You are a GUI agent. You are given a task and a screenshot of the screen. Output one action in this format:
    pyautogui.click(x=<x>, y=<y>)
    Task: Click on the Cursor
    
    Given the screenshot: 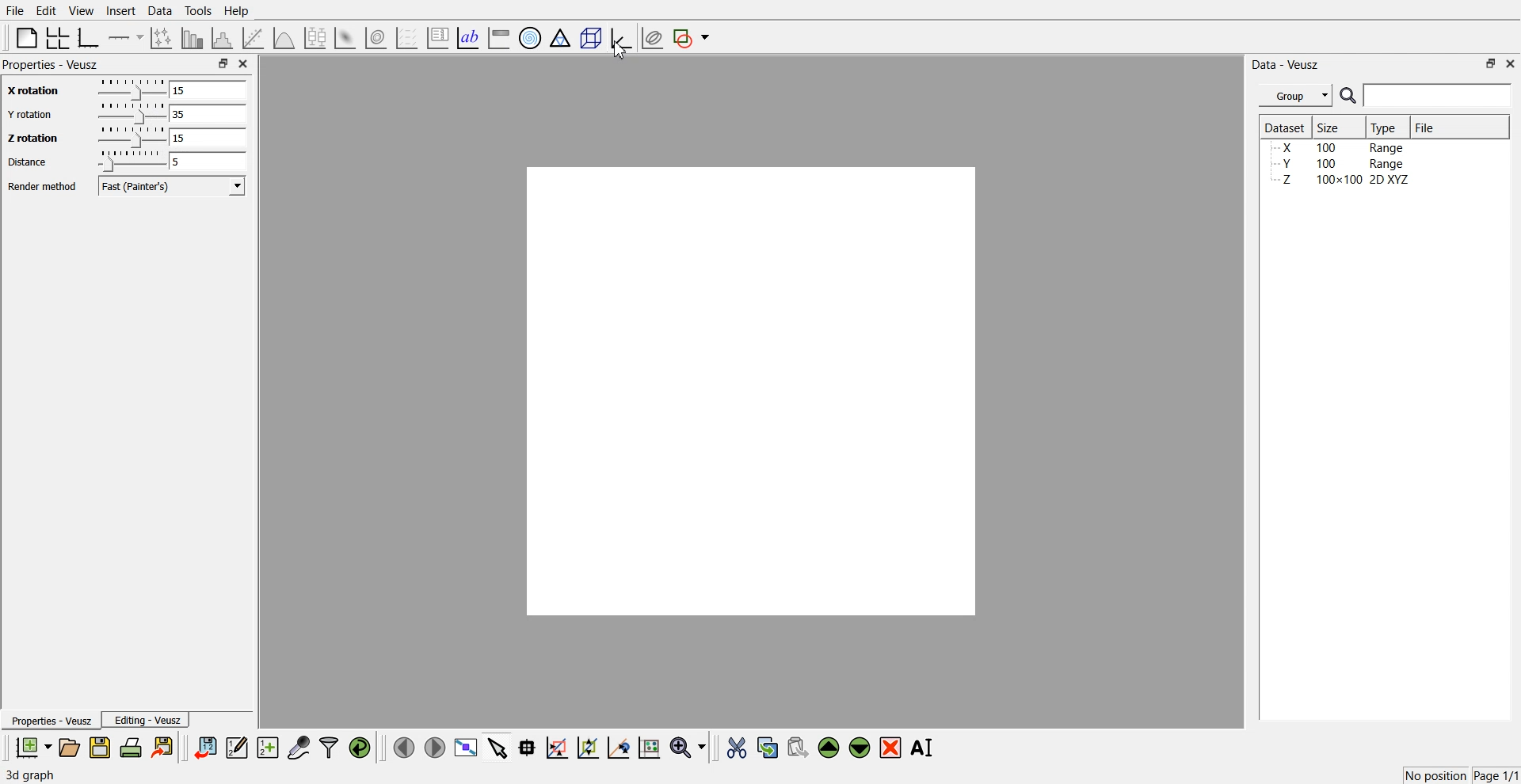 What is the action you would take?
    pyautogui.click(x=620, y=51)
    